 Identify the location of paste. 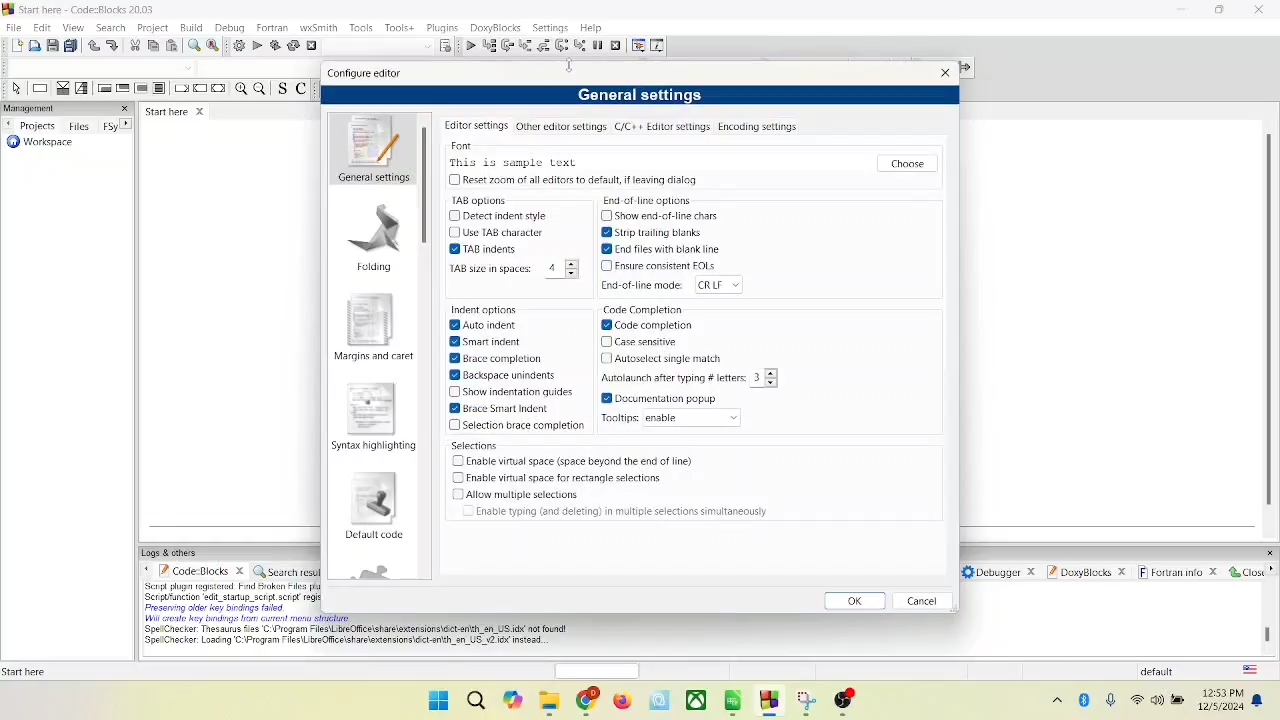
(171, 44).